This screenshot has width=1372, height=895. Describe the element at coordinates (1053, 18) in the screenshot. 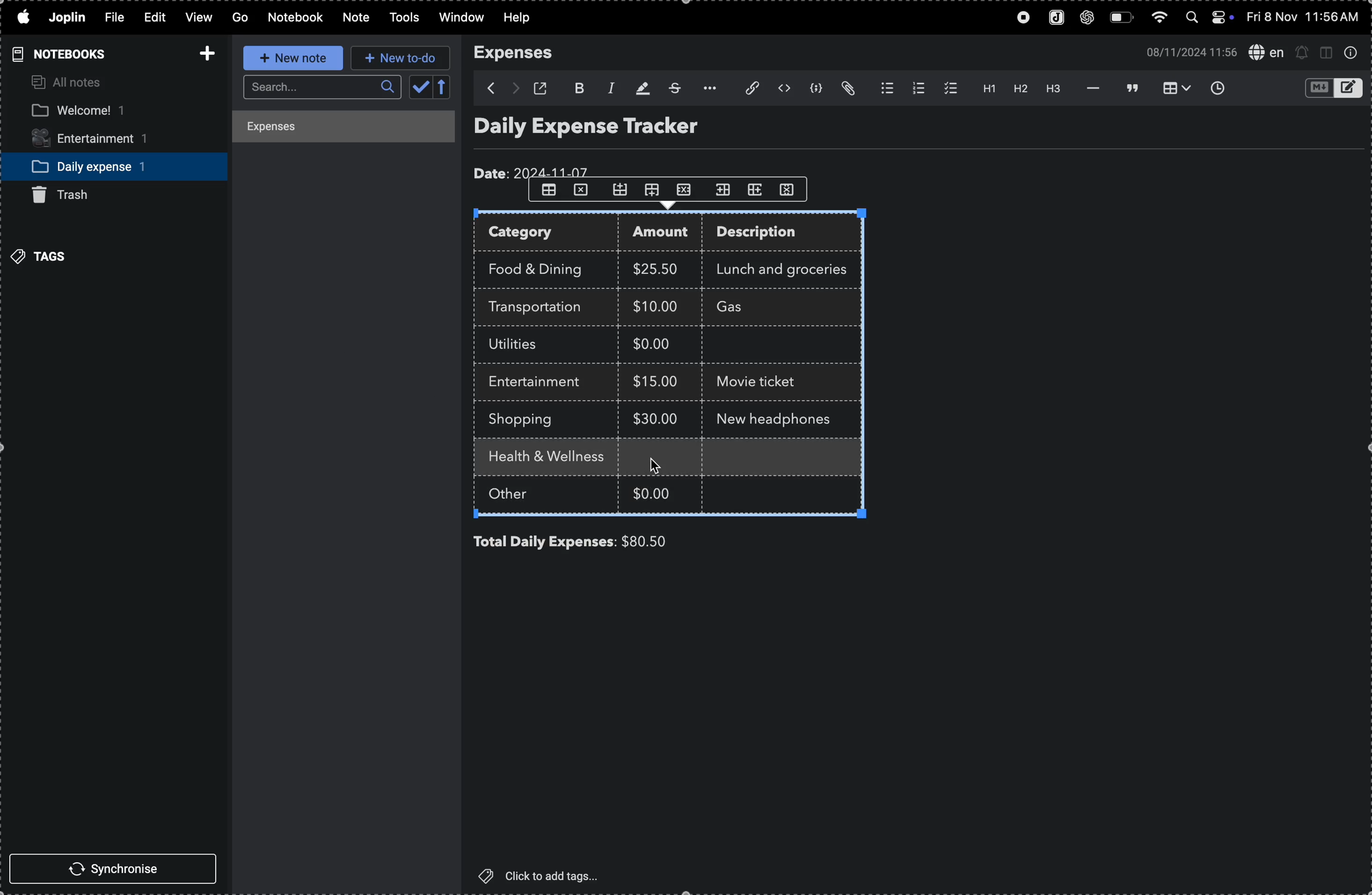

I see `joplin` at that location.